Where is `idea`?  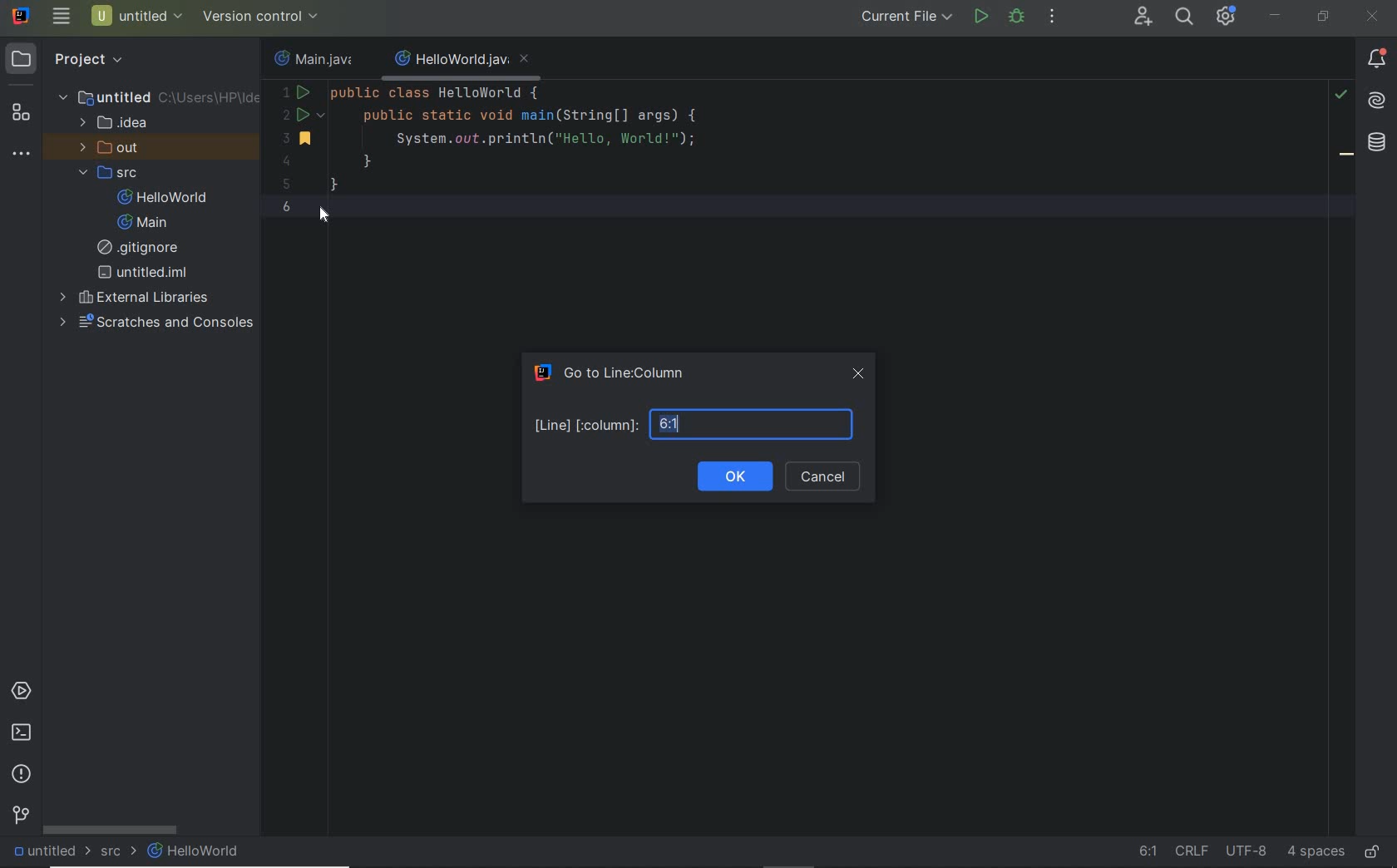
idea is located at coordinates (116, 121).